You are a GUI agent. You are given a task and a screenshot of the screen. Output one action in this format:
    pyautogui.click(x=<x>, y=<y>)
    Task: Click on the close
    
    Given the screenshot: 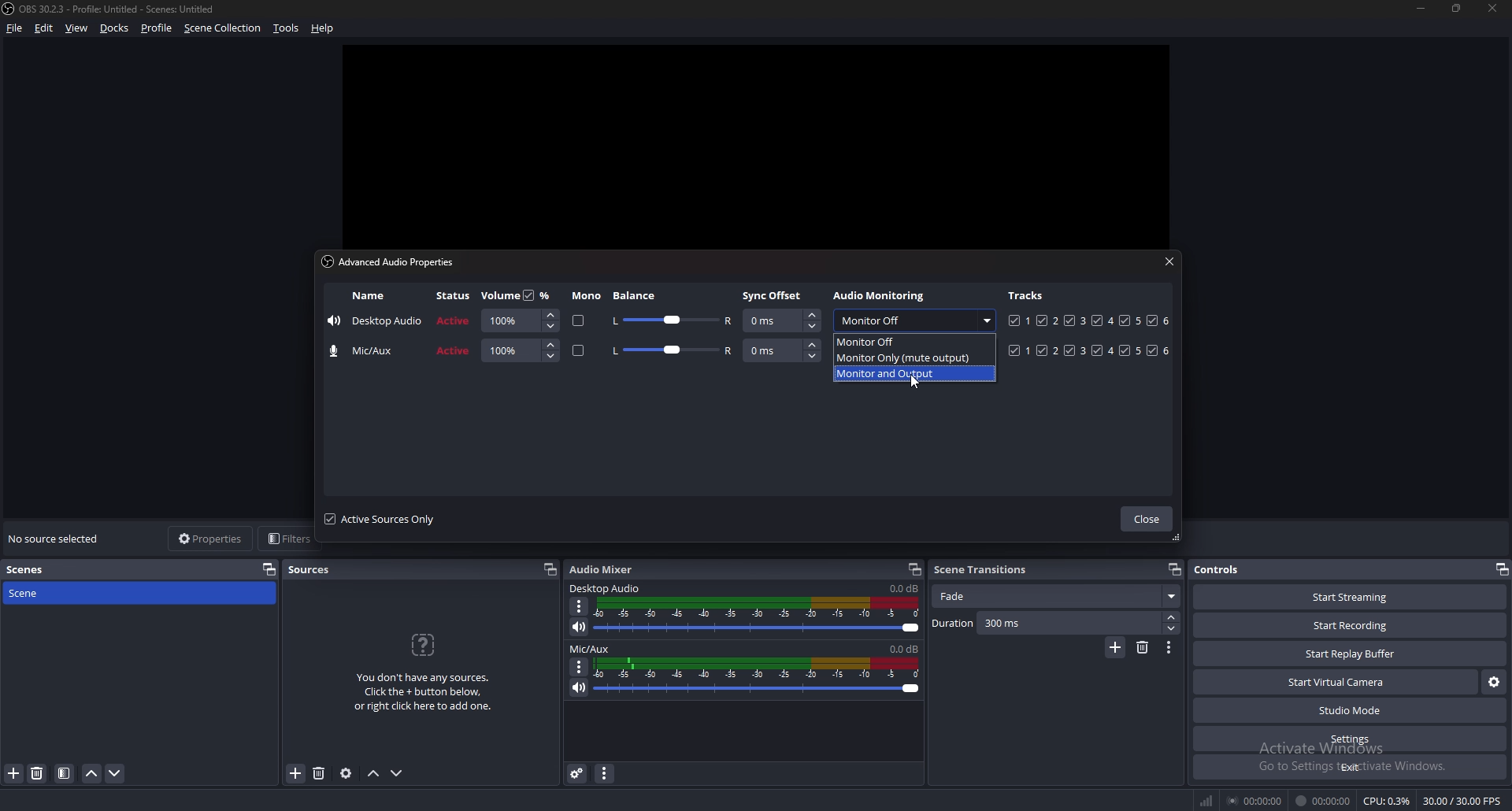 What is the action you would take?
    pyautogui.click(x=1493, y=9)
    